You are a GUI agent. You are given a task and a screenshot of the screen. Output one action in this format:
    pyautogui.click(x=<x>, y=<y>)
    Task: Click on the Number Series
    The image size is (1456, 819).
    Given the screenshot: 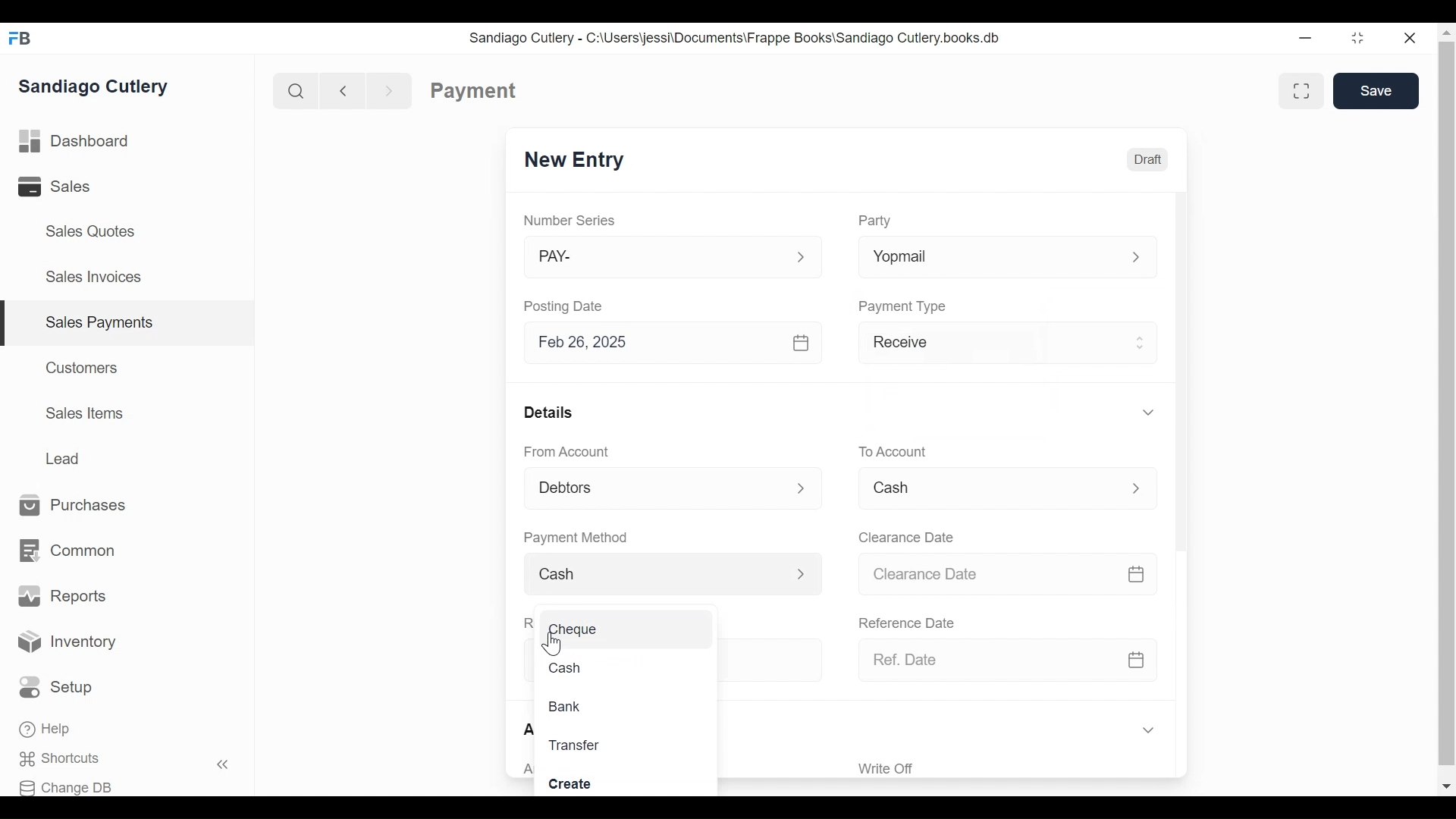 What is the action you would take?
    pyautogui.click(x=581, y=221)
    